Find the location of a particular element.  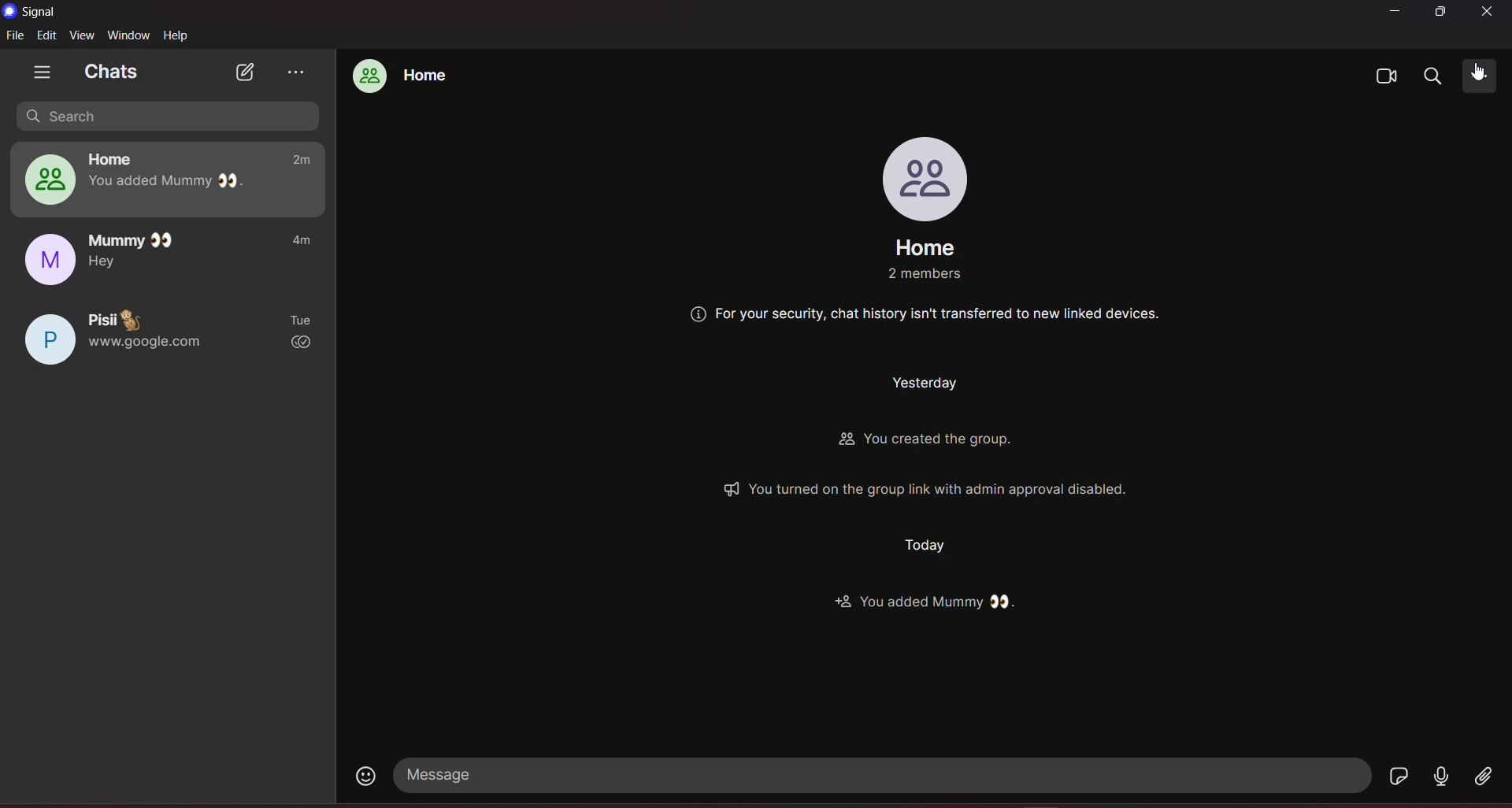

 is located at coordinates (926, 384).